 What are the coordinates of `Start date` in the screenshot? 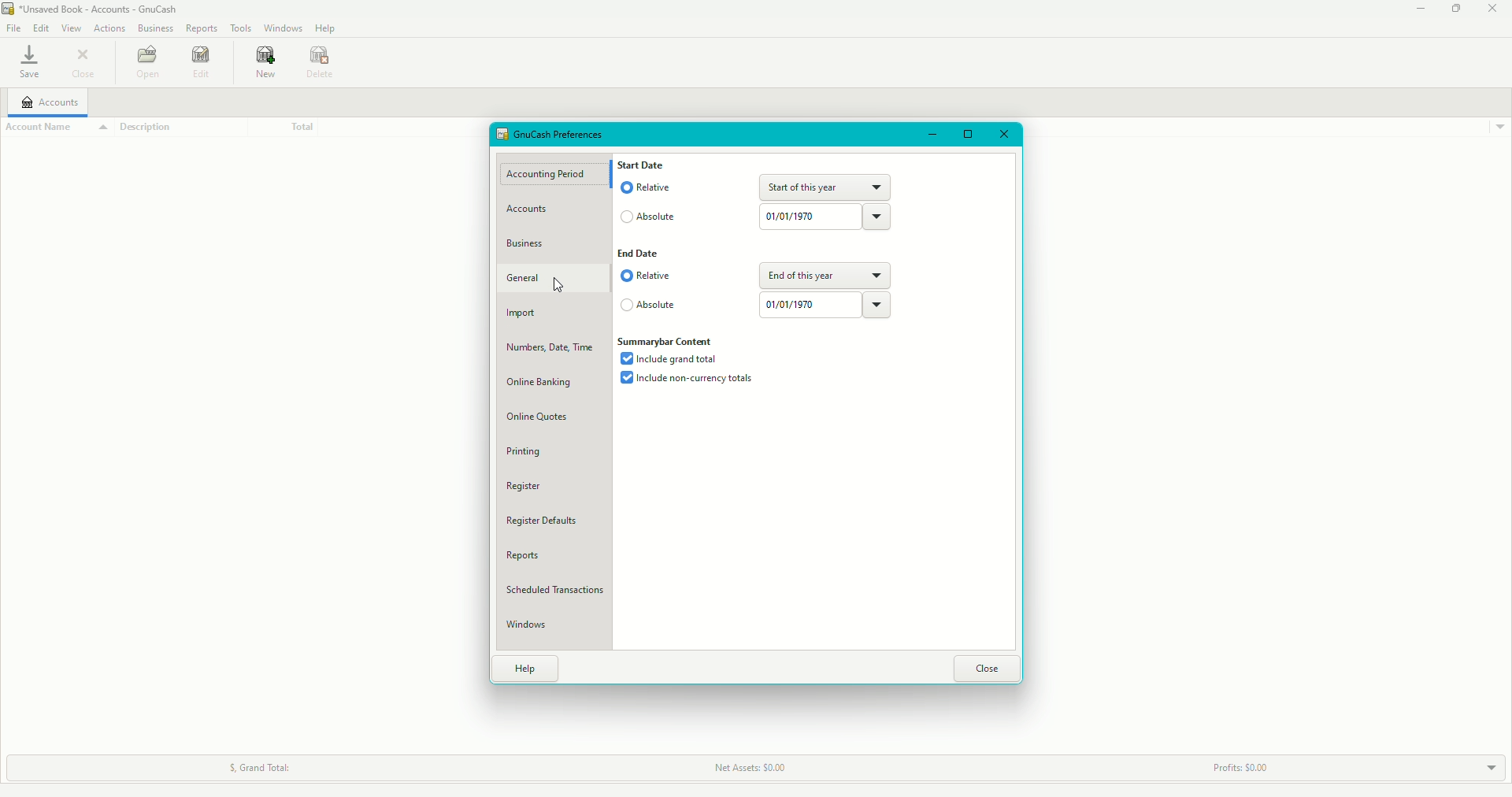 It's located at (649, 164).